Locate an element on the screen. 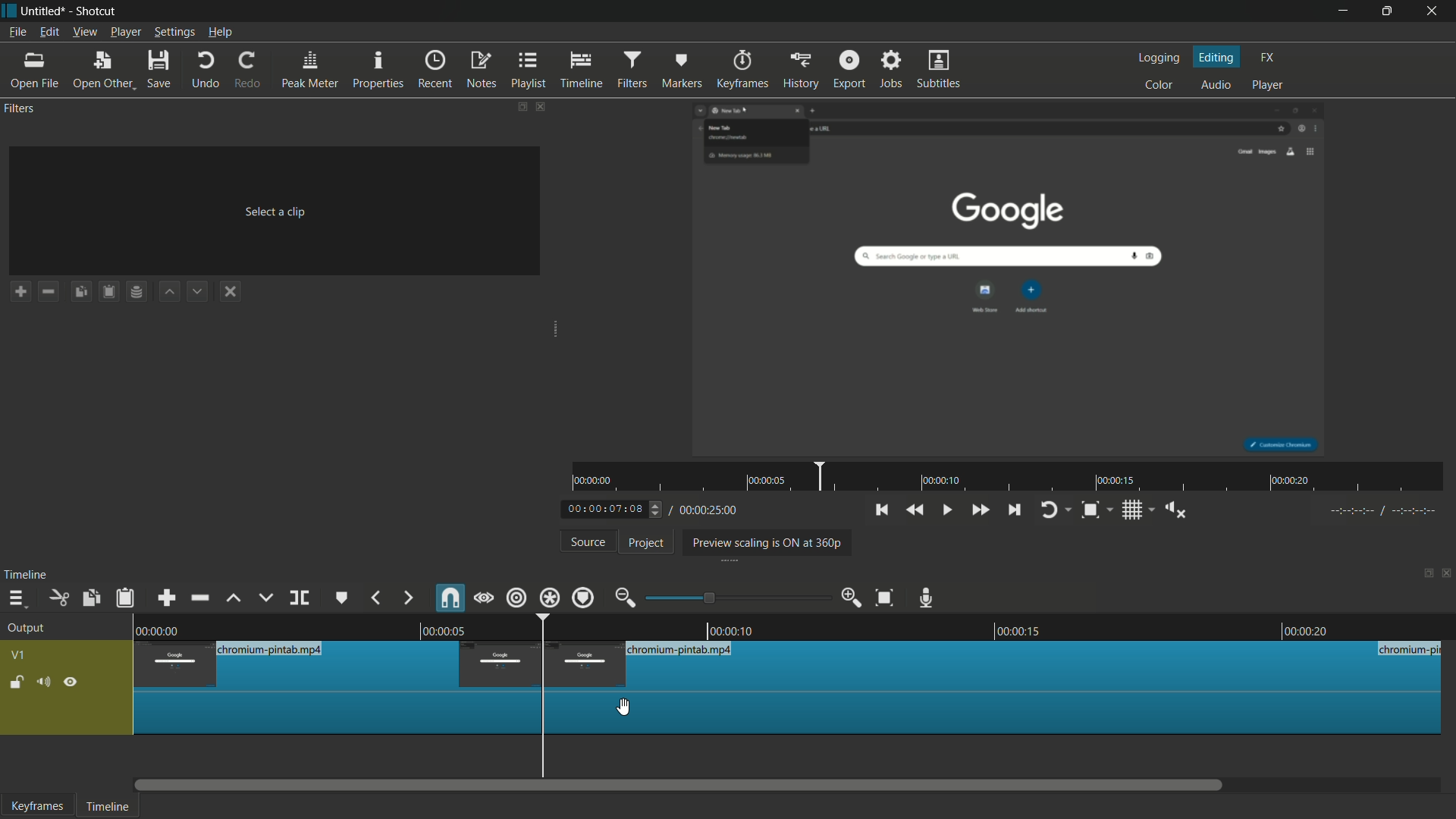 The width and height of the screenshot is (1456, 819). snap is located at coordinates (449, 598).